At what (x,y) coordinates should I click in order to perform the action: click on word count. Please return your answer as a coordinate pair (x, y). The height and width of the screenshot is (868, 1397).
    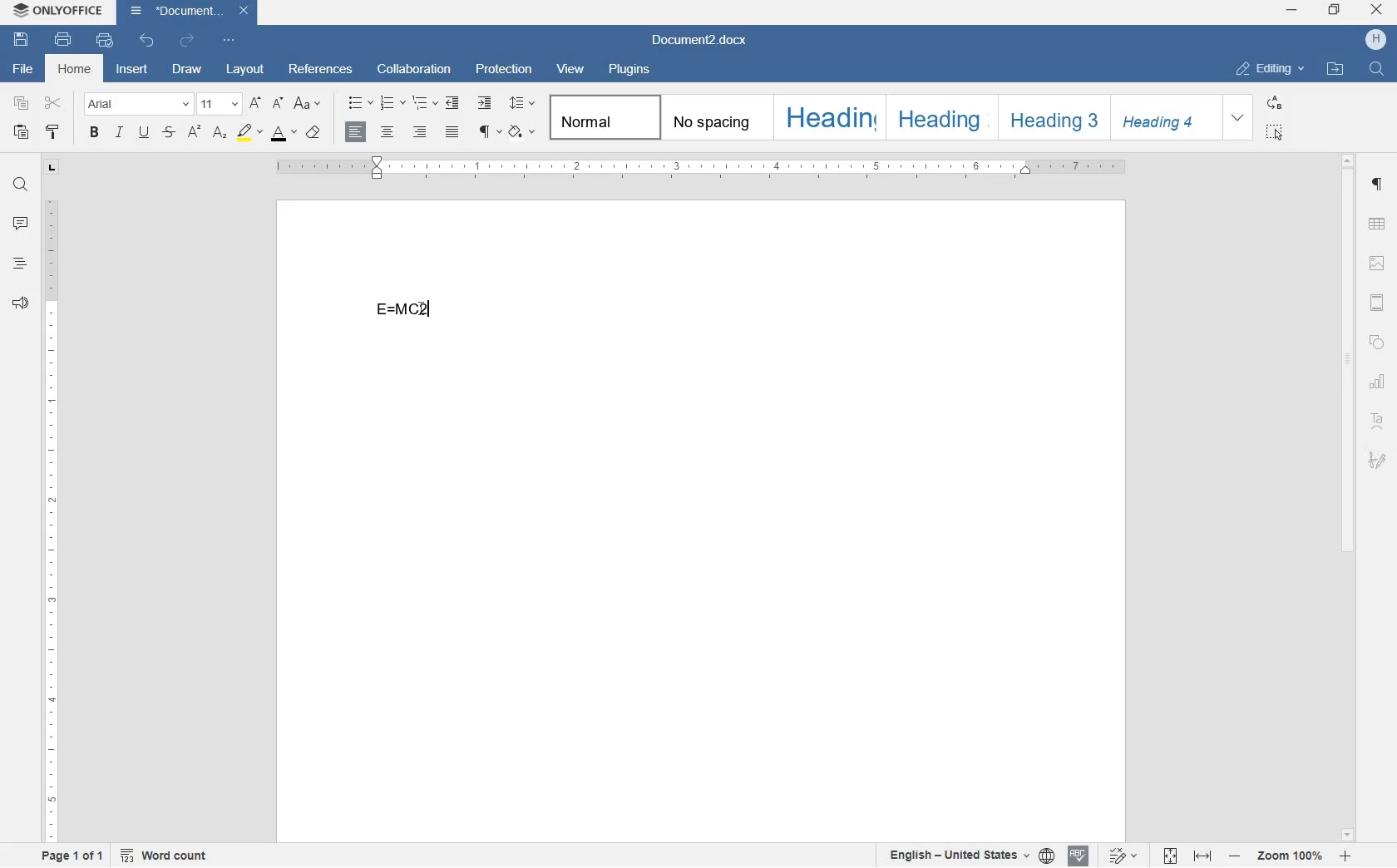
    Looking at the image, I should click on (166, 856).